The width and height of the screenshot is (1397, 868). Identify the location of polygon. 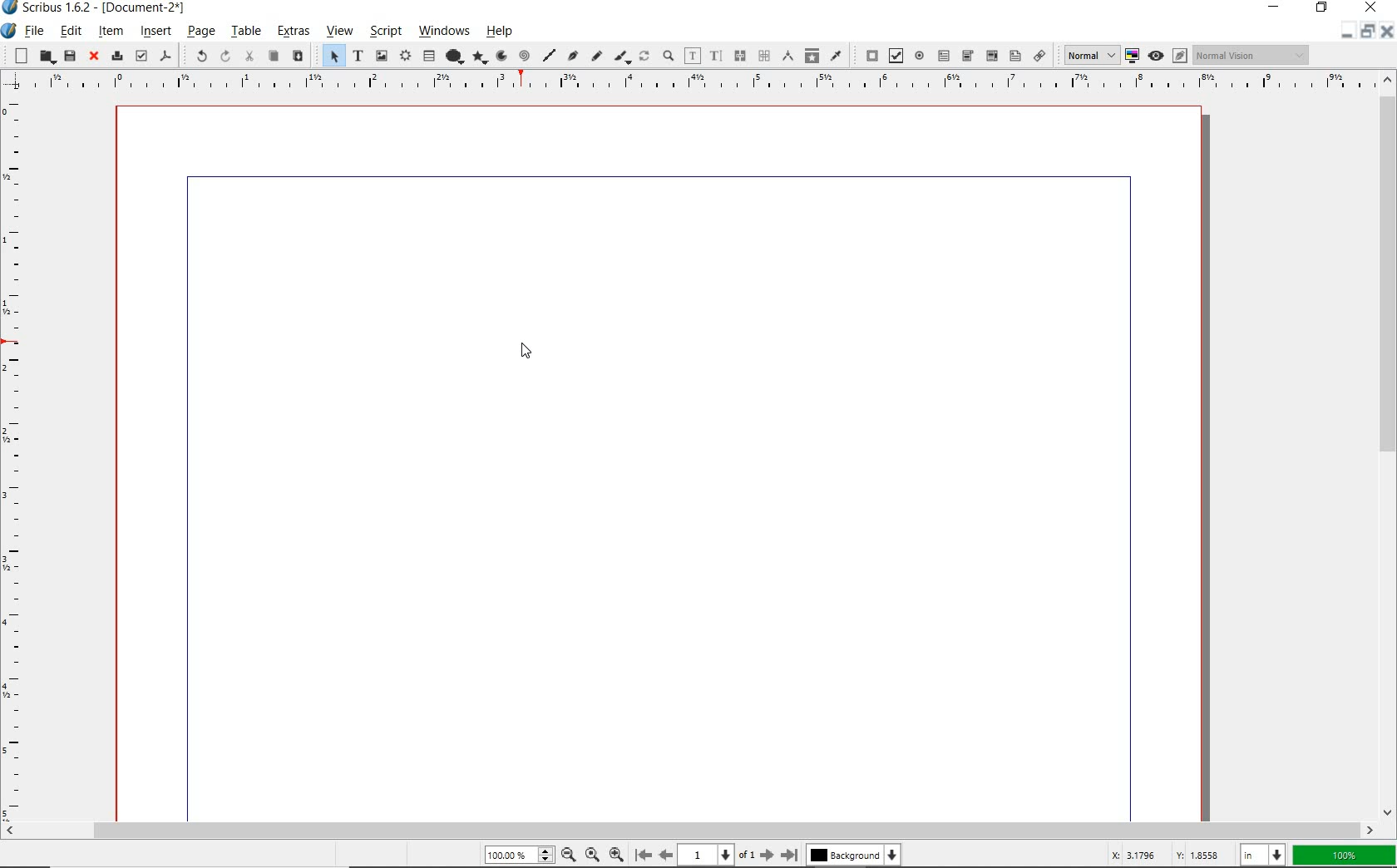
(481, 57).